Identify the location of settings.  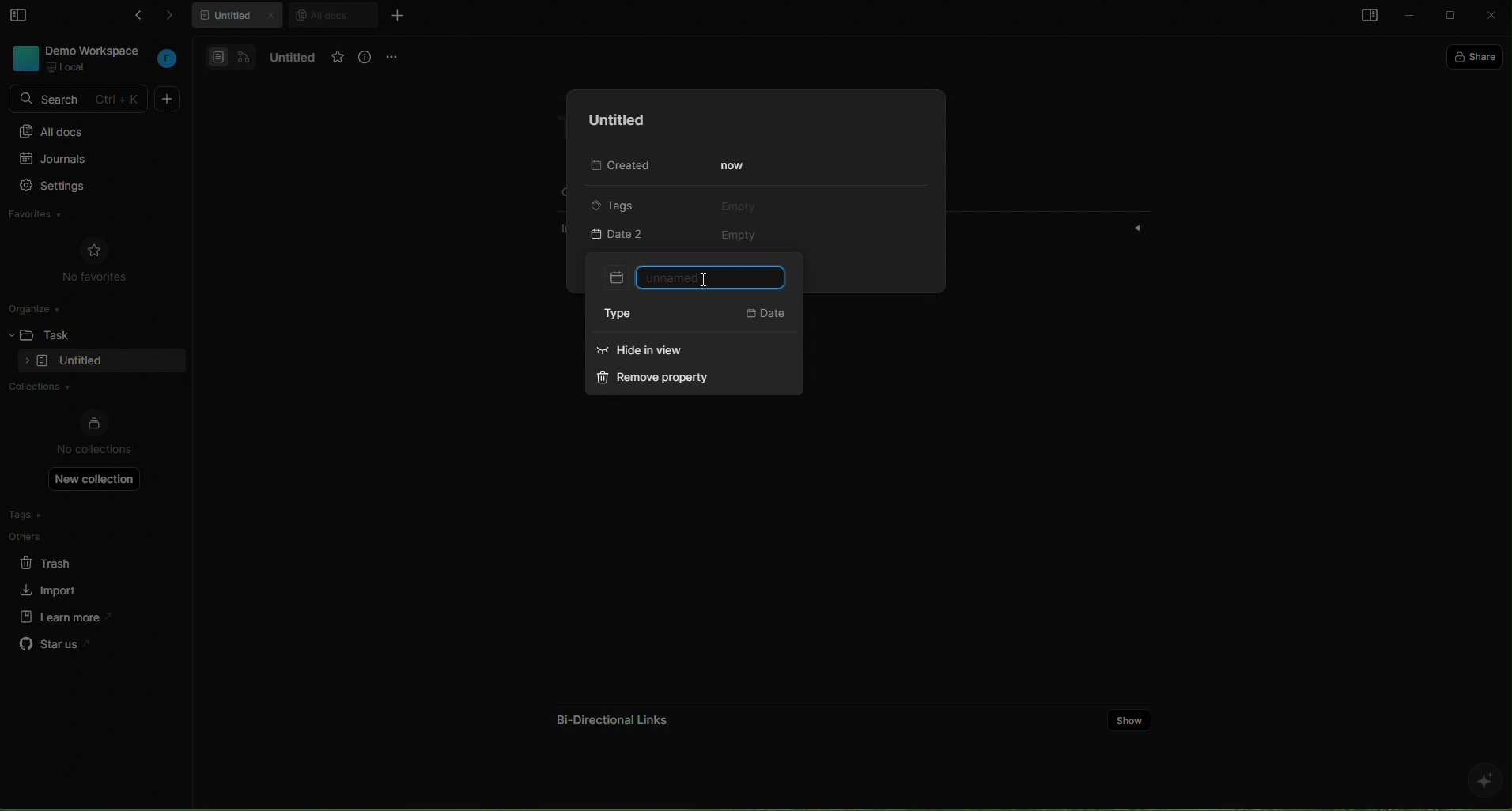
(86, 187).